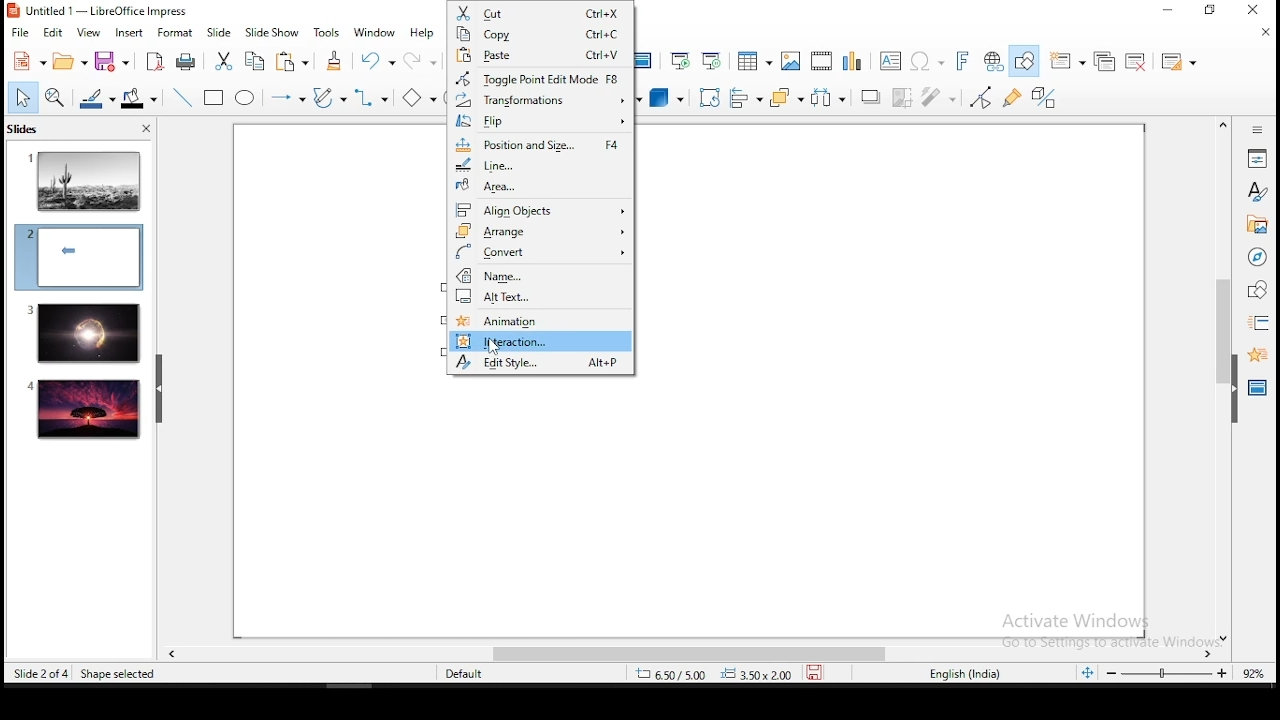  I want to click on minimize, so click(1167, 11).